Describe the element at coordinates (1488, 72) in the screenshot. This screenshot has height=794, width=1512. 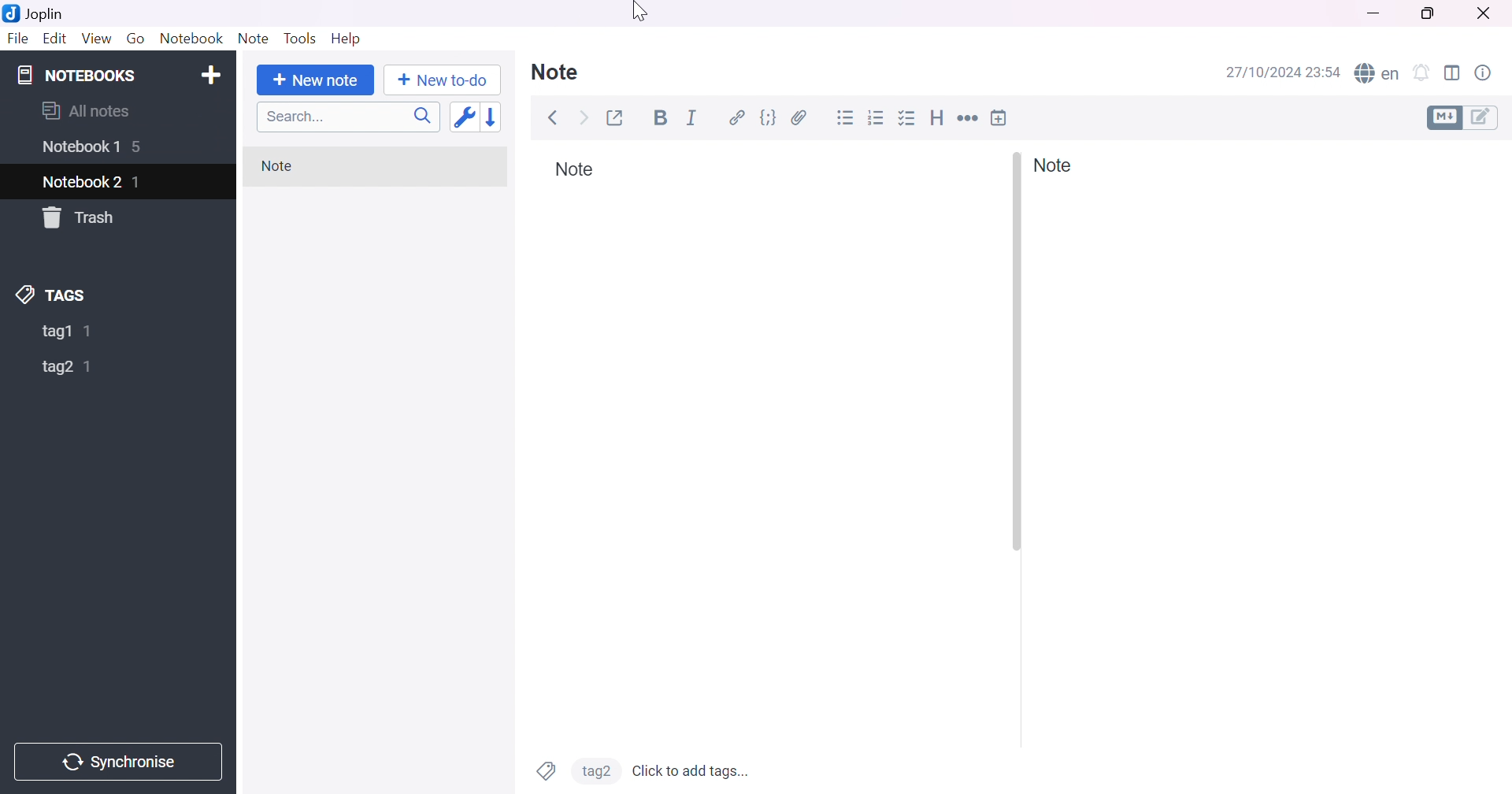
I see `Note properties` at that location.